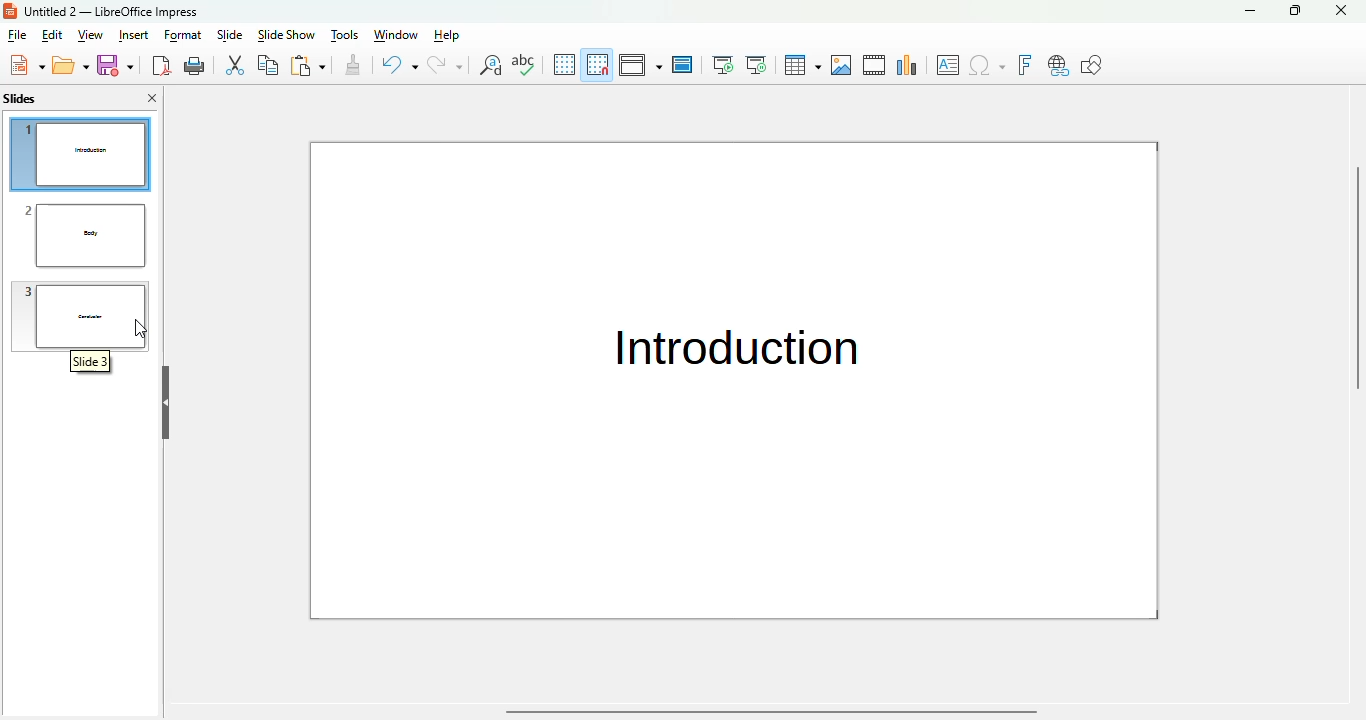 The width and height of the screenshot is (1366, 720). What do you see at coordinates (115, 65) in the screenshot?
I see `save` at bounding box center [115, 65].